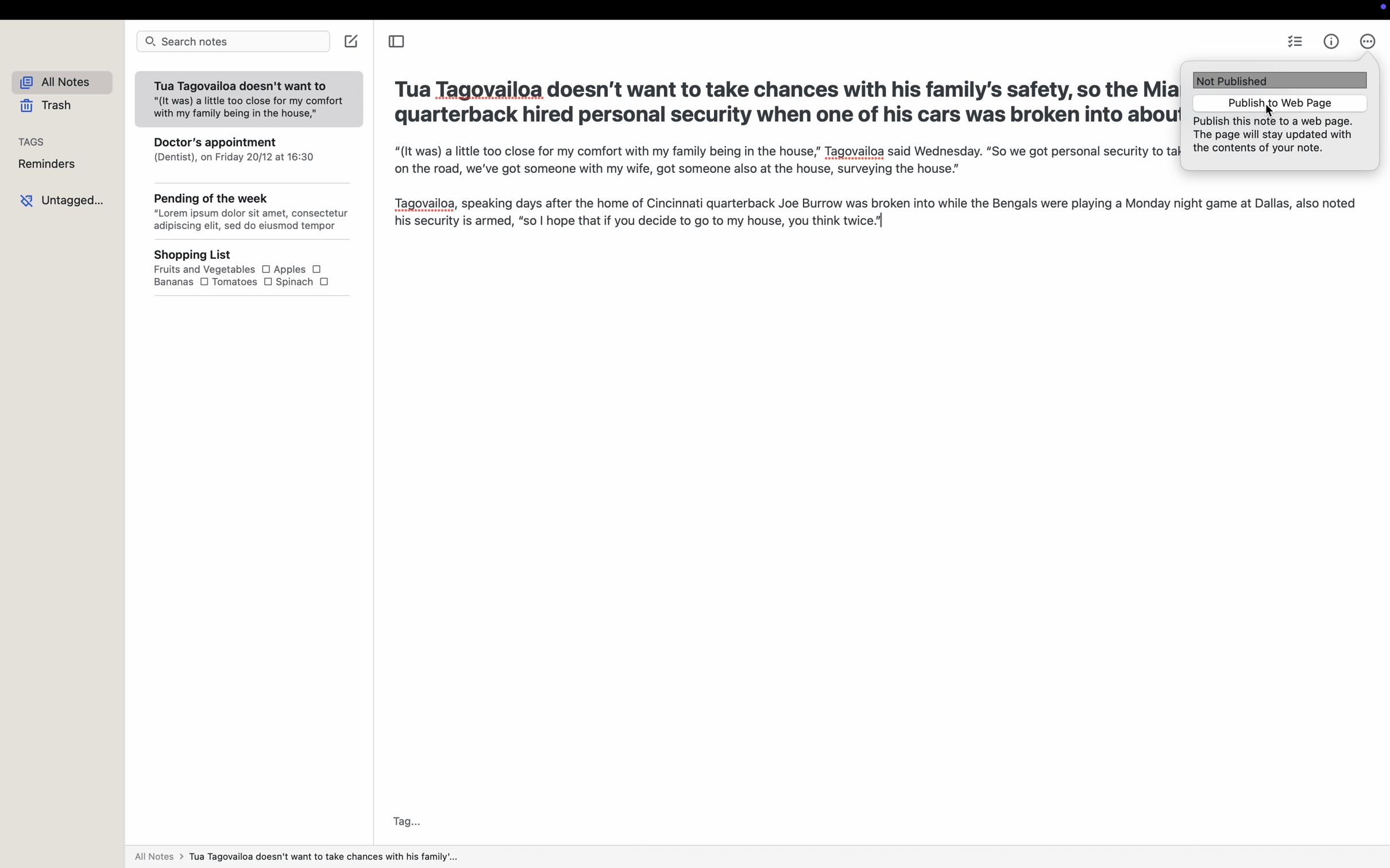  I want to click on toggle sidebar, so click(395, 43).